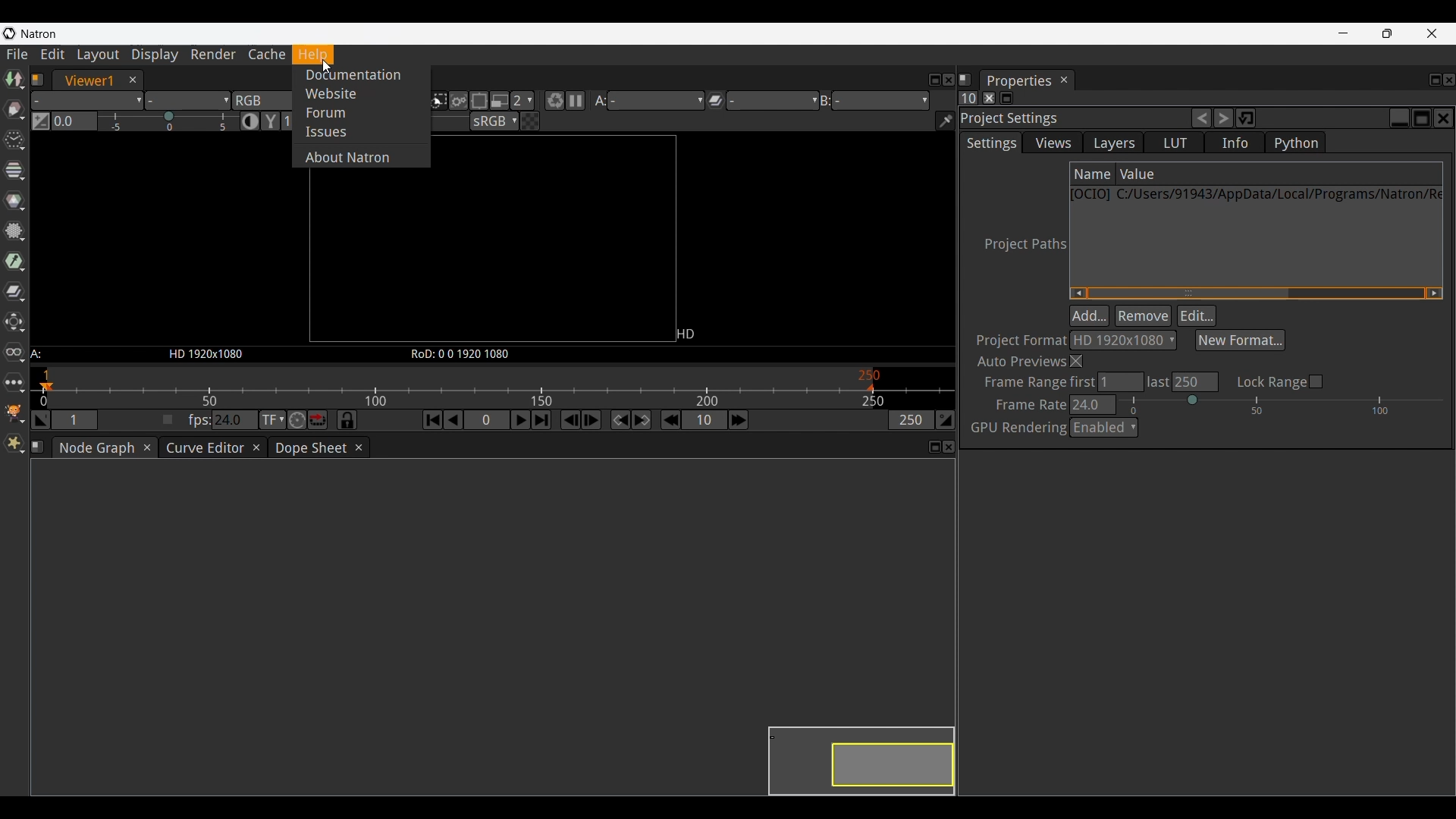 The image size is (1456, 819). Describe the element at coordinates (39, 33) in the screenshot. I see `Natron` at that location.